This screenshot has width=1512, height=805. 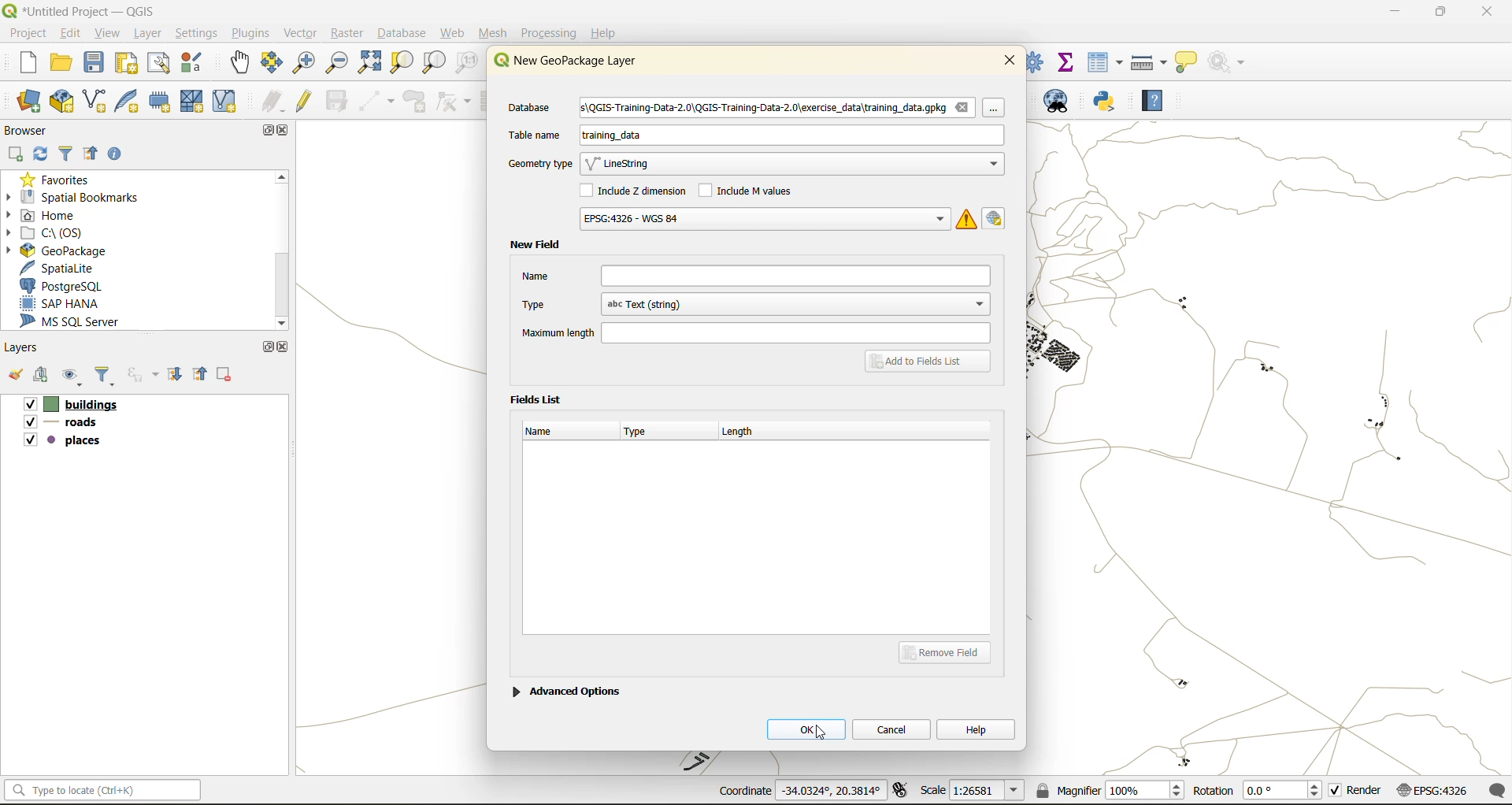 I want to click on sap hana, so click(x=74, y=304).